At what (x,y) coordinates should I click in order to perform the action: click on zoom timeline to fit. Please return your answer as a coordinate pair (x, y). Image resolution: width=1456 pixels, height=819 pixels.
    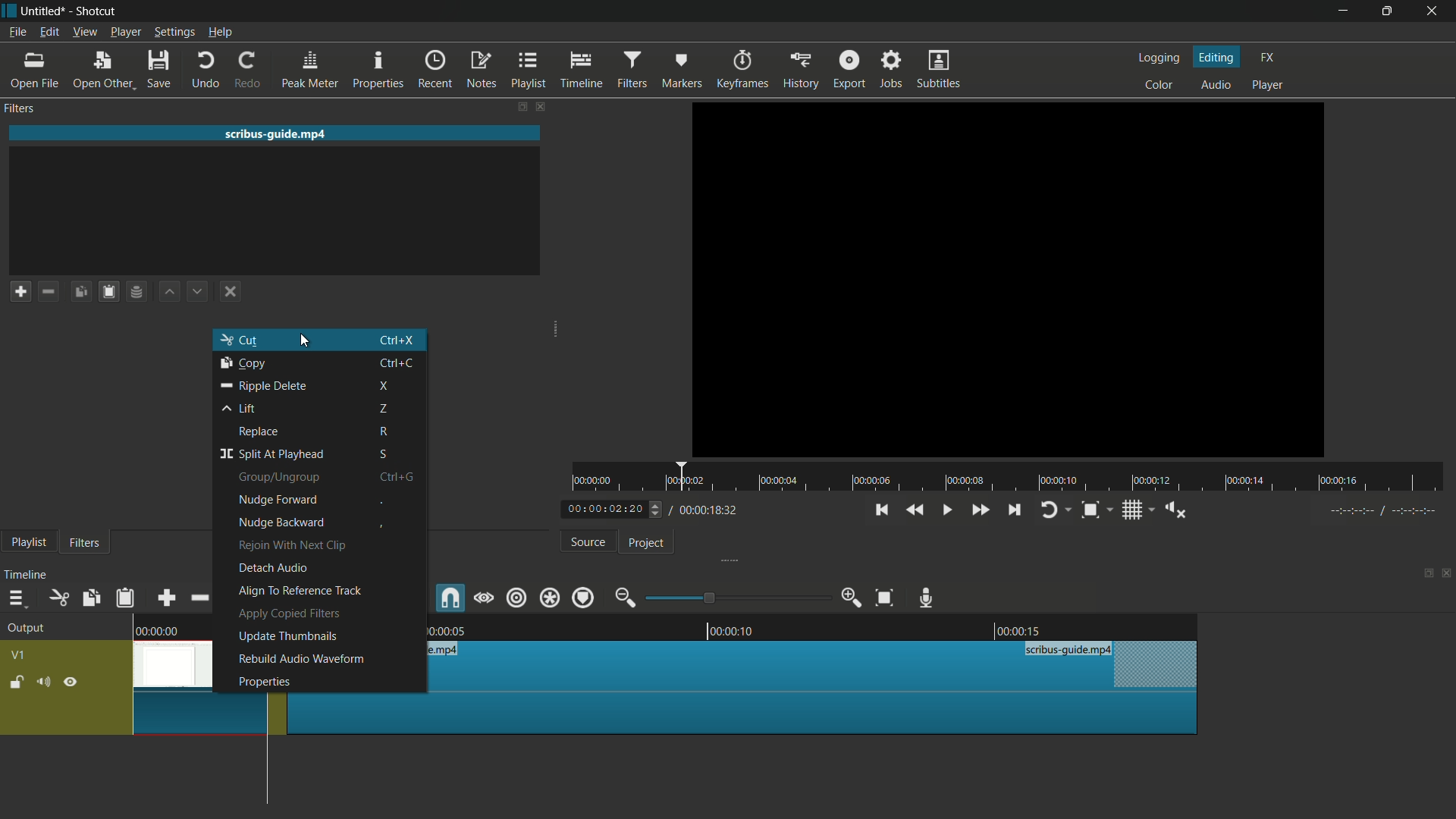
    Looking at the image, I should click on (885, 598).